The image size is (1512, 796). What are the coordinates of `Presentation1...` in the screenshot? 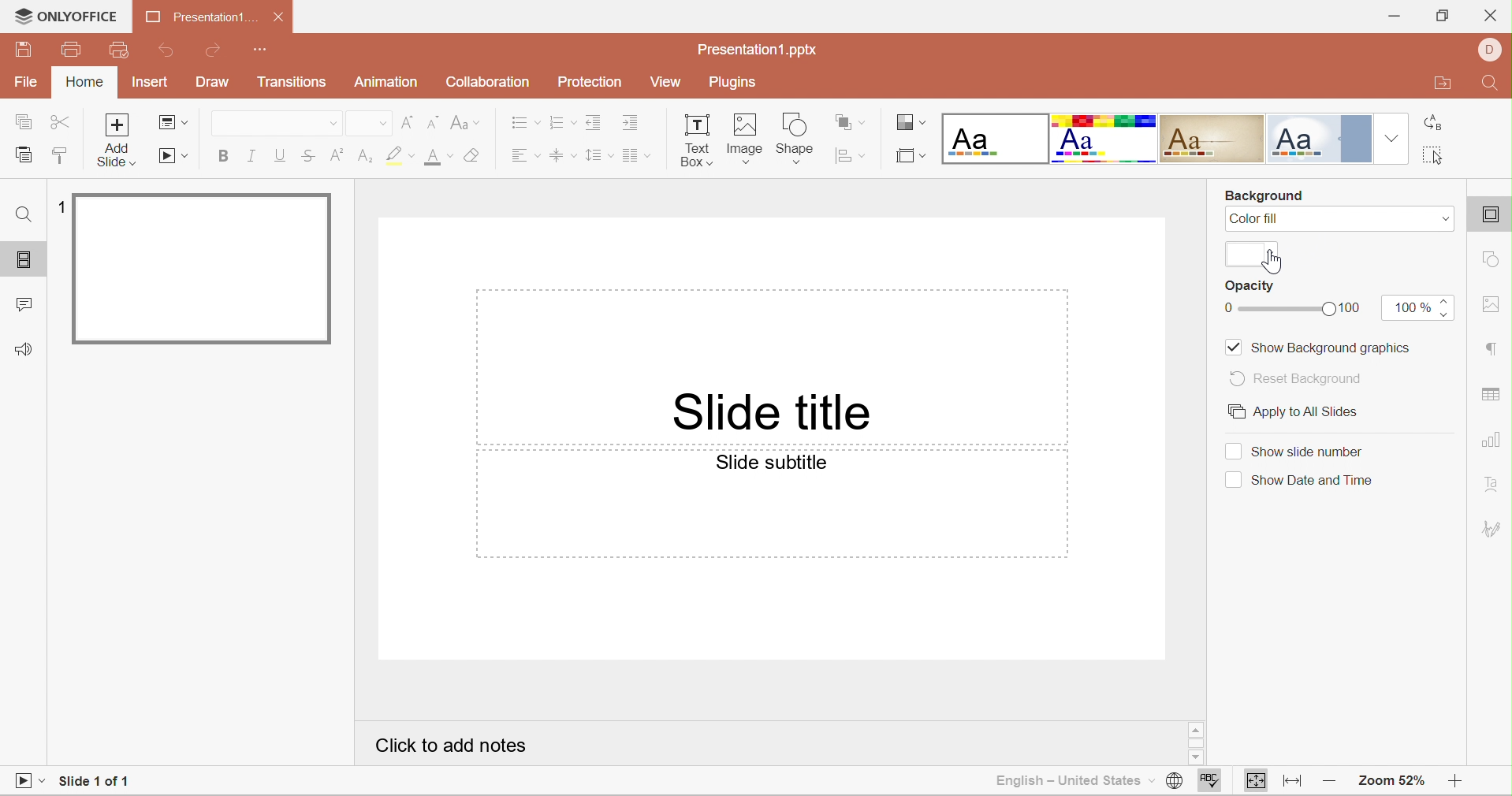 It's located at (196, 17).